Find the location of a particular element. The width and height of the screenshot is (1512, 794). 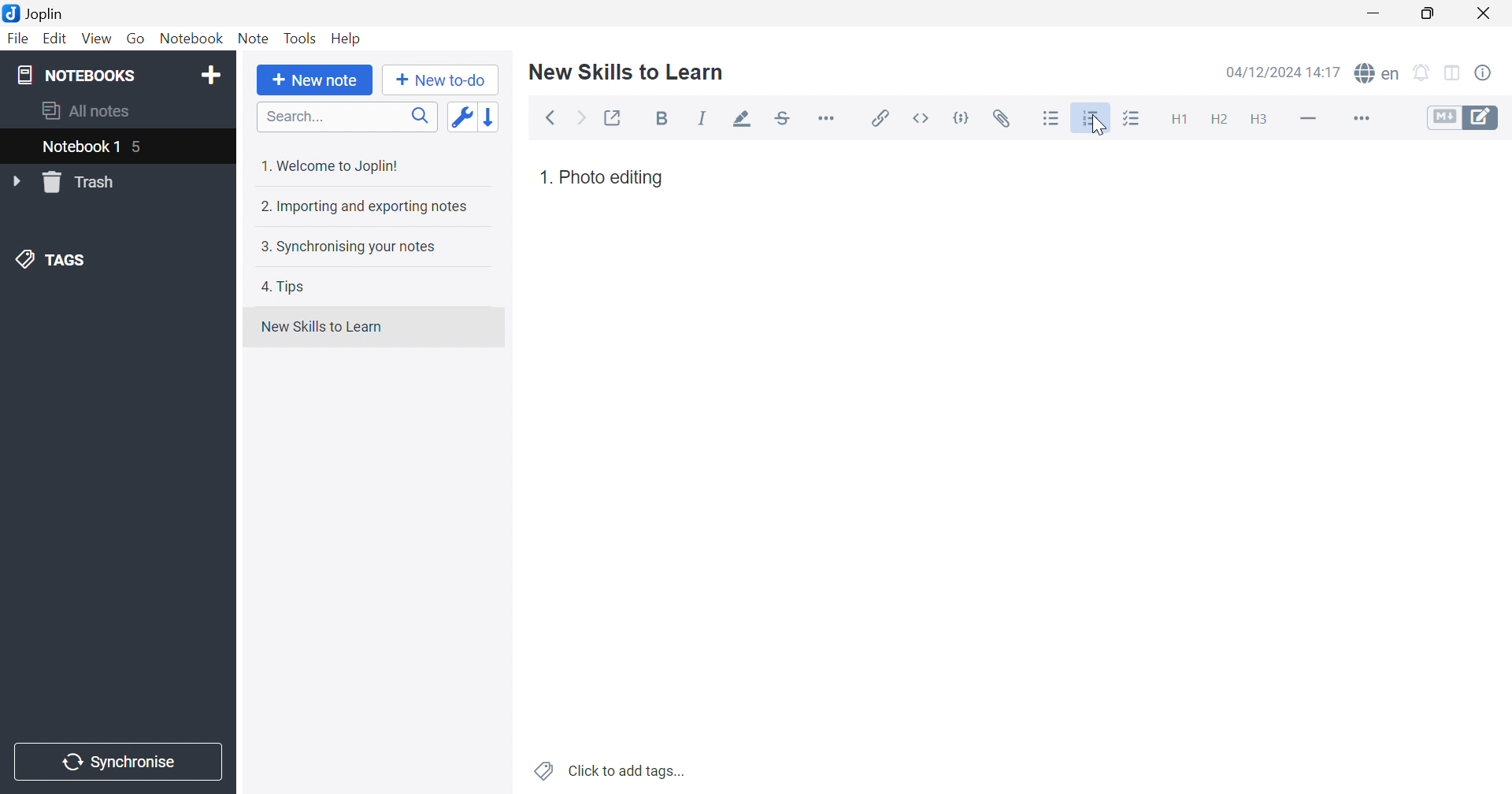

Minimize is located at coordinates (1378, 13).